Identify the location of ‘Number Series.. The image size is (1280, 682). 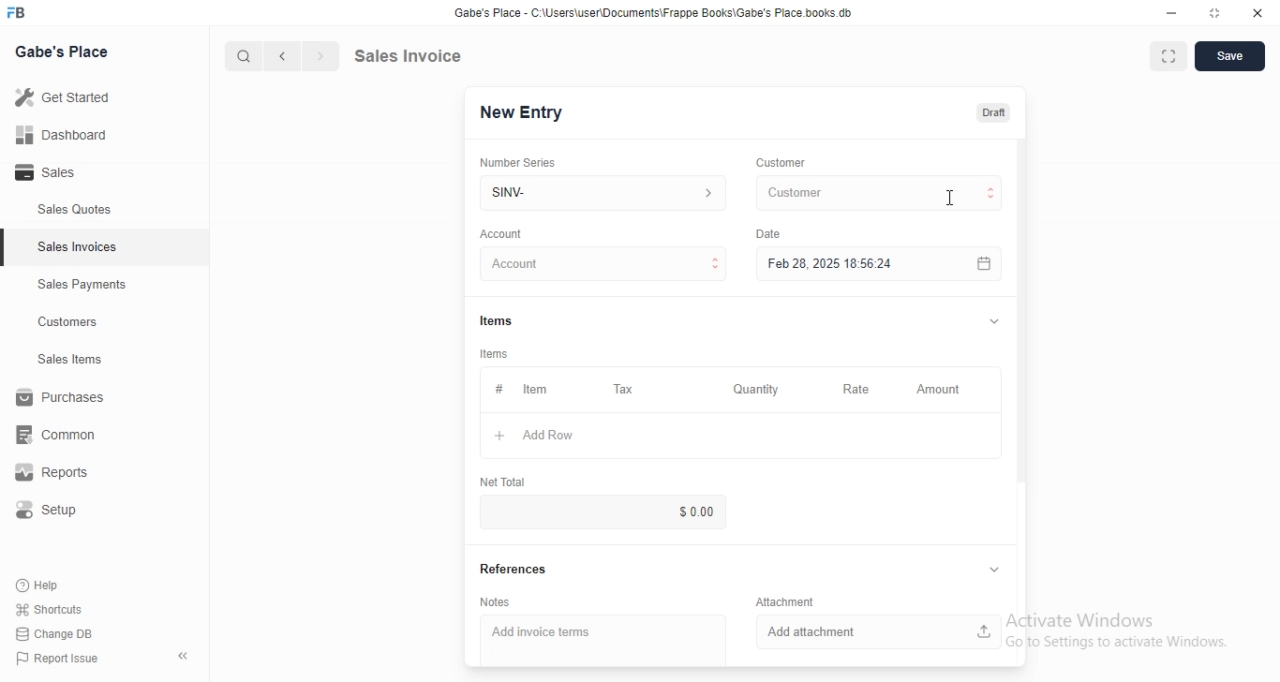
(520, 161).